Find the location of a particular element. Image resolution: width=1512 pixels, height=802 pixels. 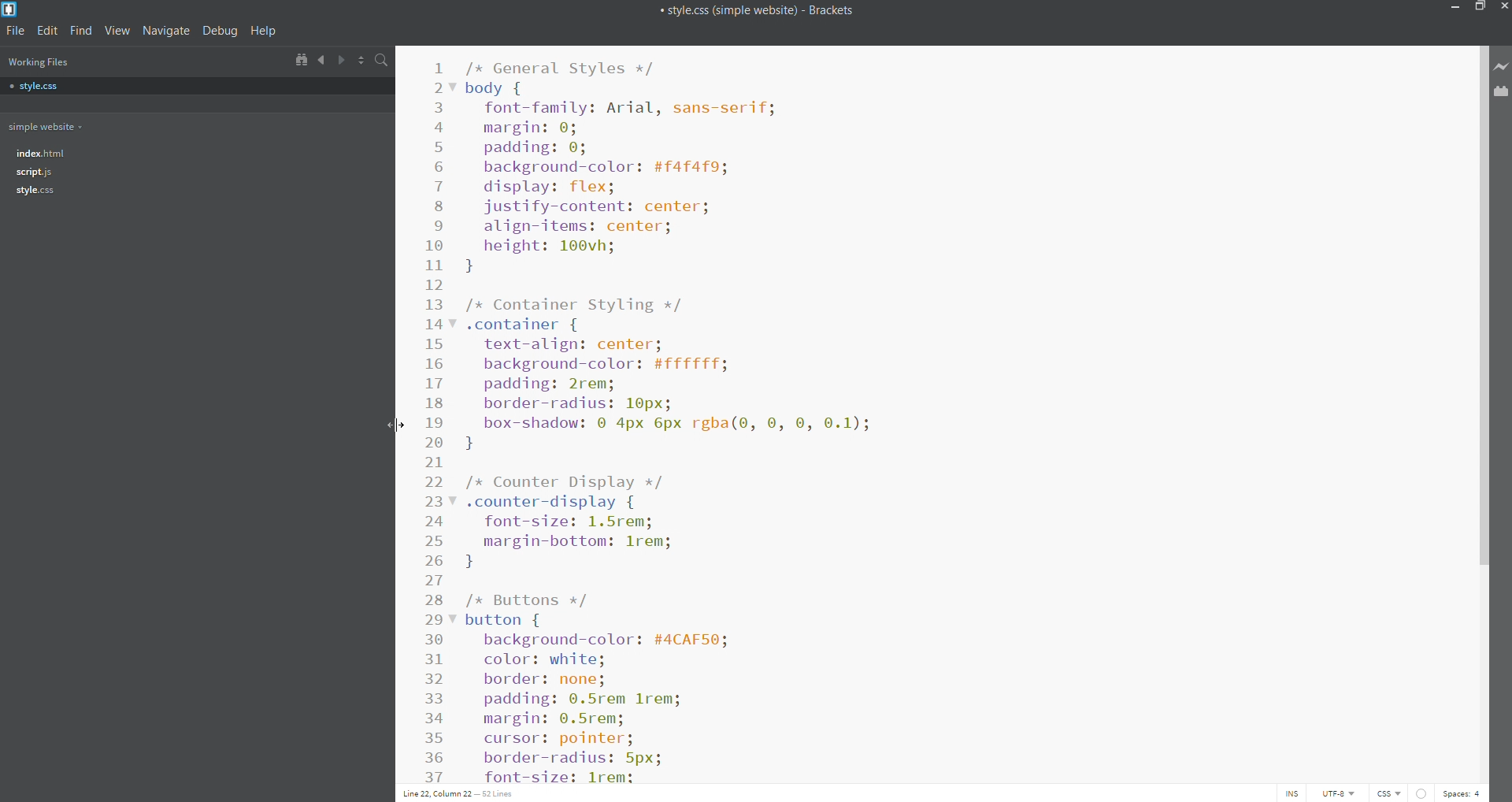

brackets is located at coordinates (12, 9).